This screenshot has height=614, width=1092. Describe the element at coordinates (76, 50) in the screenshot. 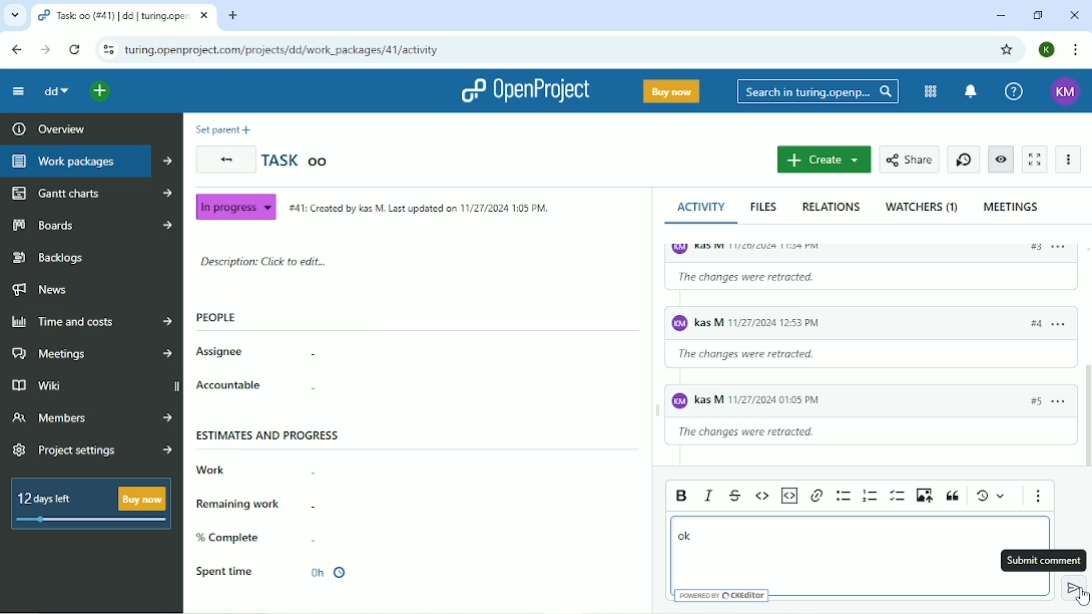

I see `Reload this page` at that location.